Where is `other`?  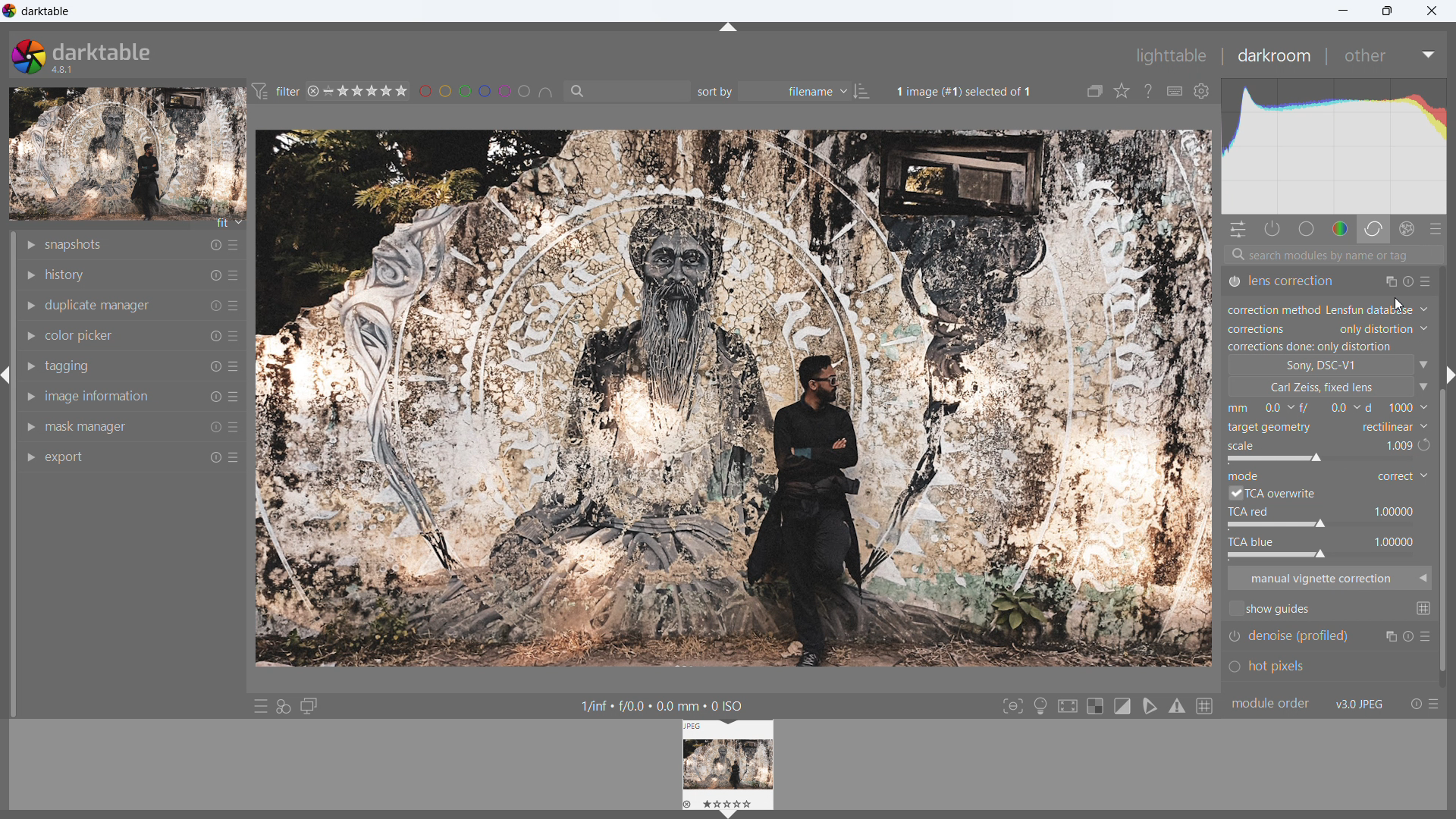 other is located at coordinates (1391, 55).